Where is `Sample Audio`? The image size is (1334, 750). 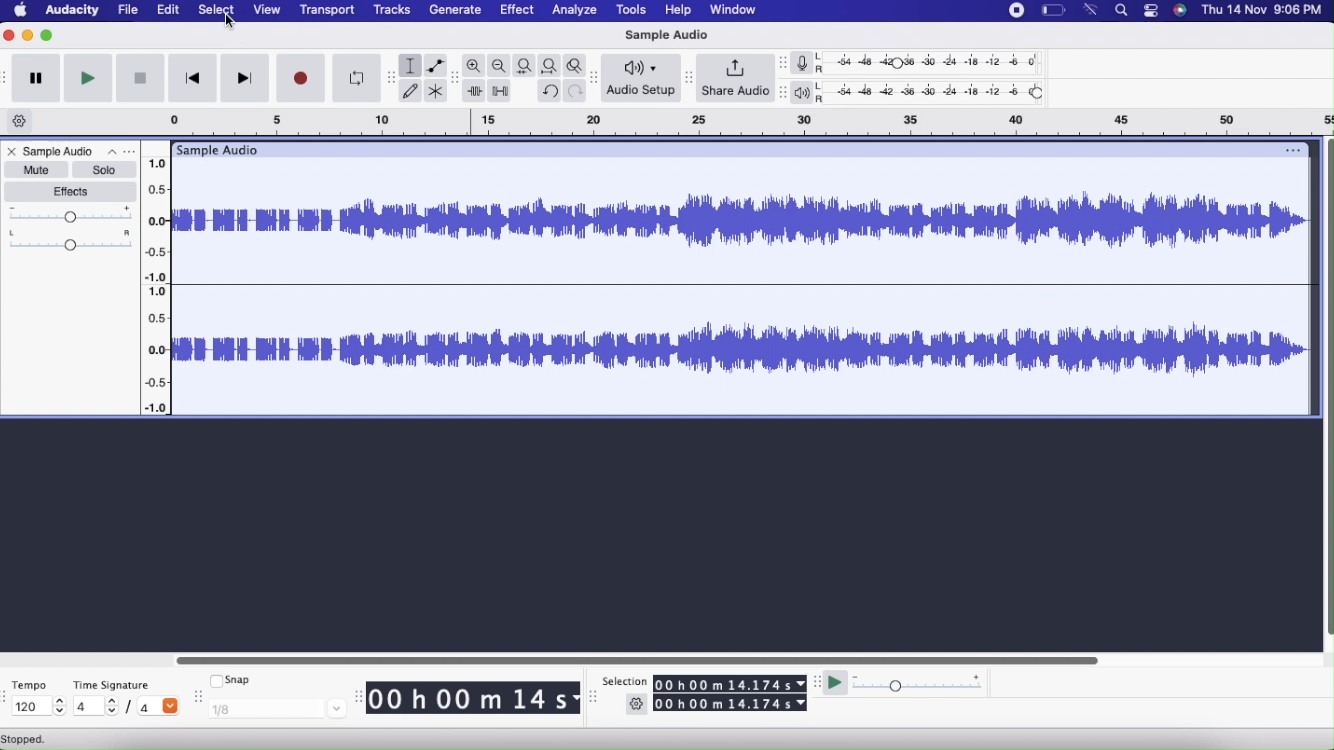
Sample Audio is located at coordinates (61, 151).